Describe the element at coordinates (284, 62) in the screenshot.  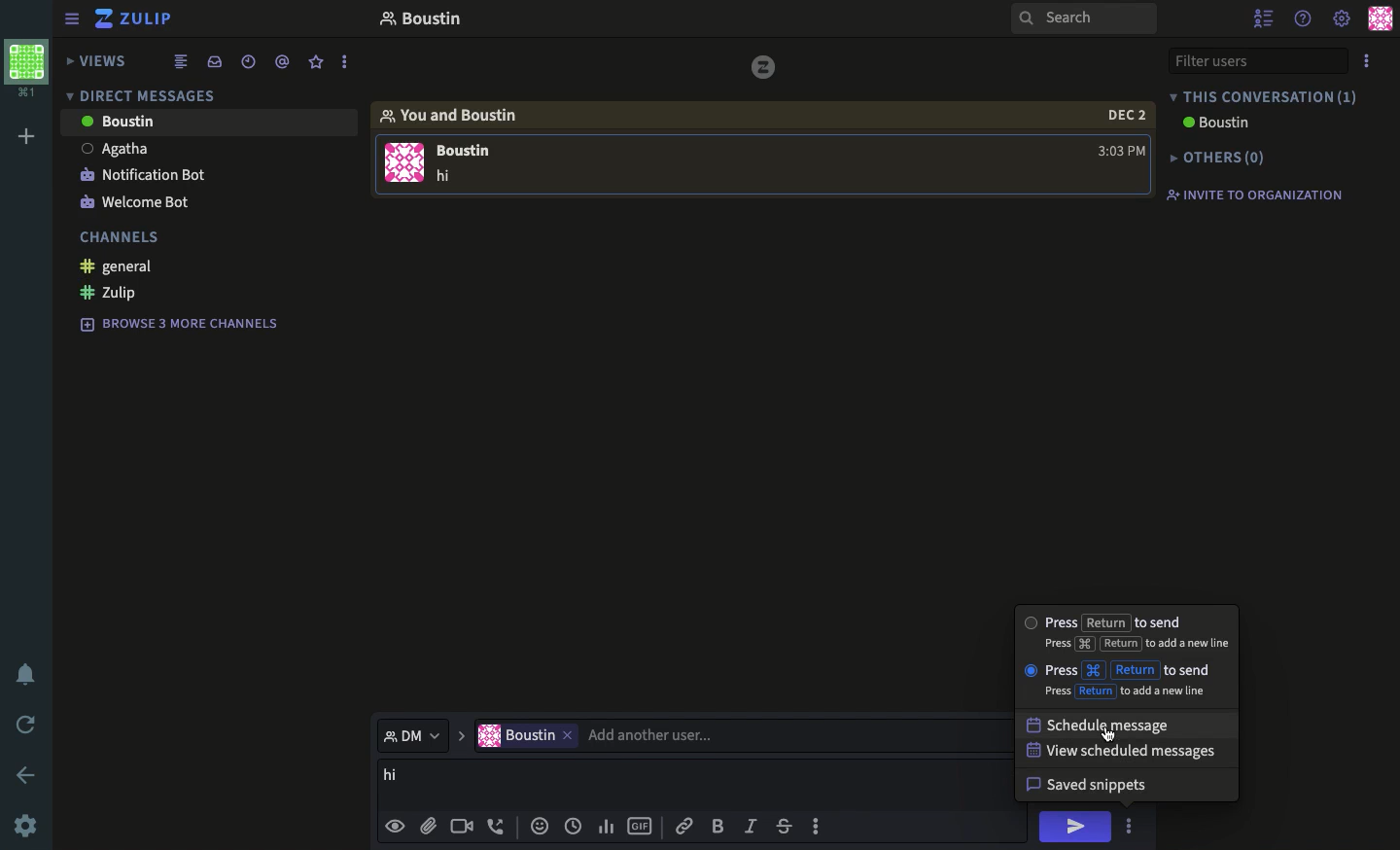
I see `mention` at that location.